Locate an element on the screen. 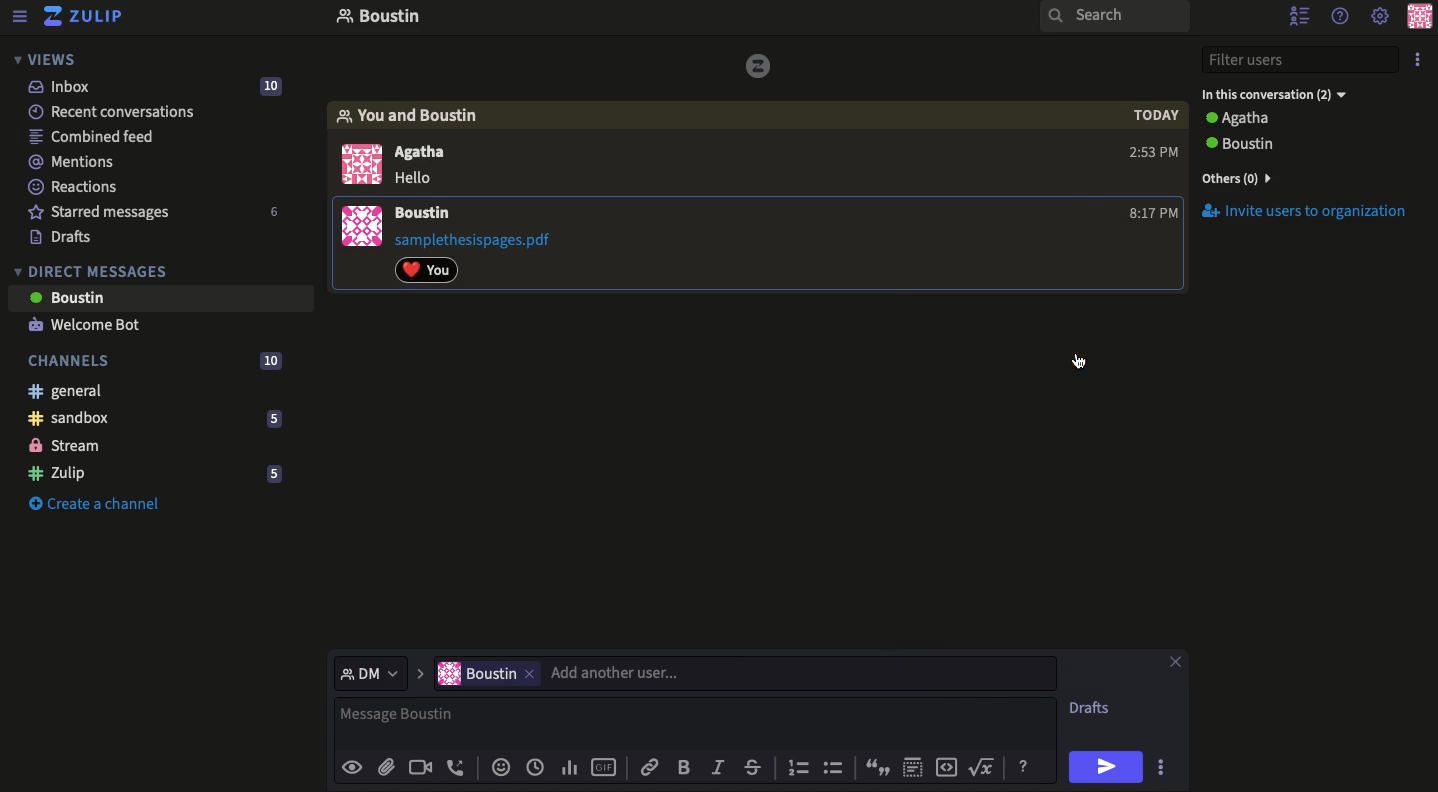 This screenshot has height=792, width=1438. In the conversation is located at coordinates (1276, 96).